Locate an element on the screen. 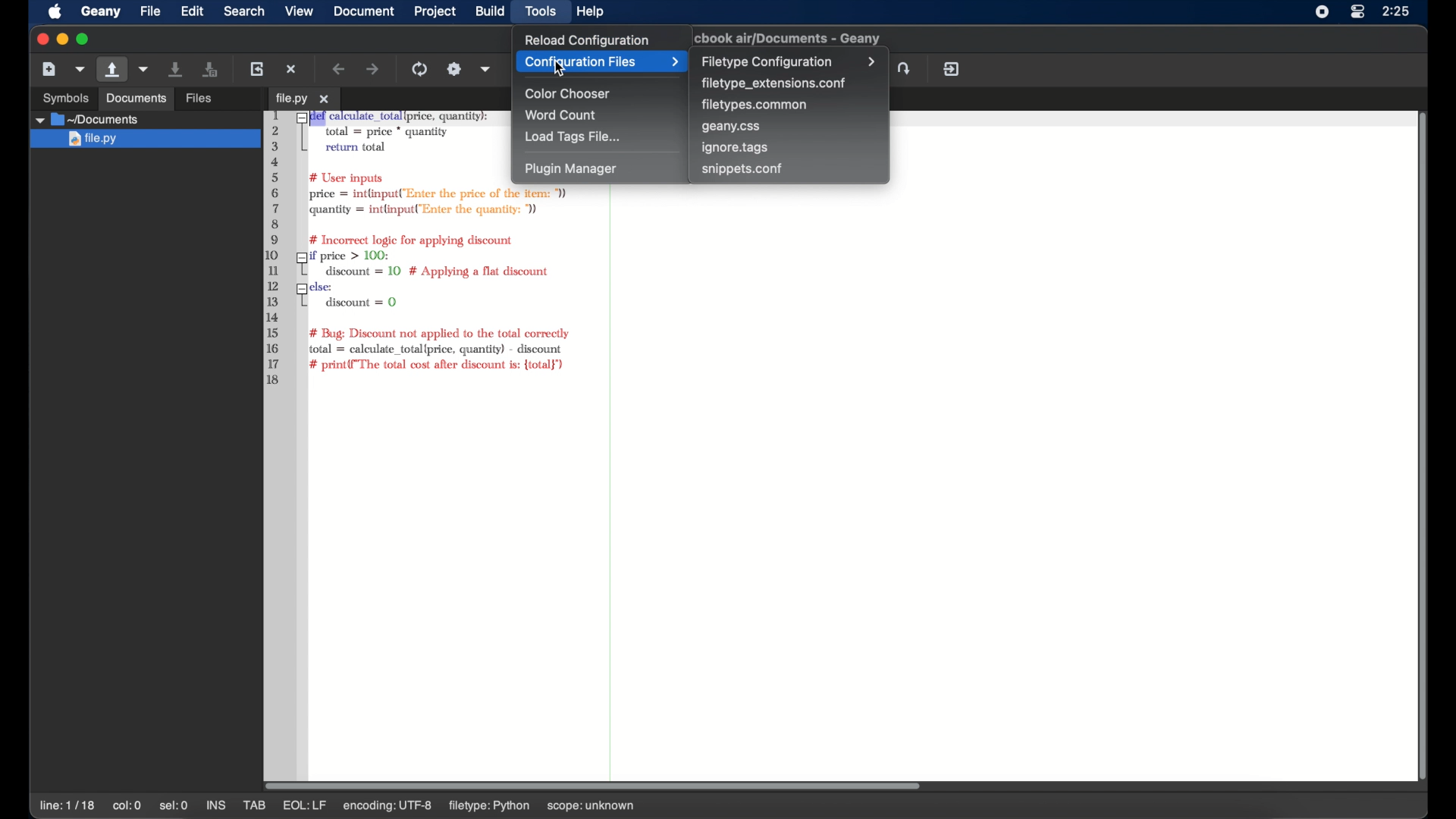 This screenshot has height=819, width=1456. maximize is located at coordinates (83, 39).